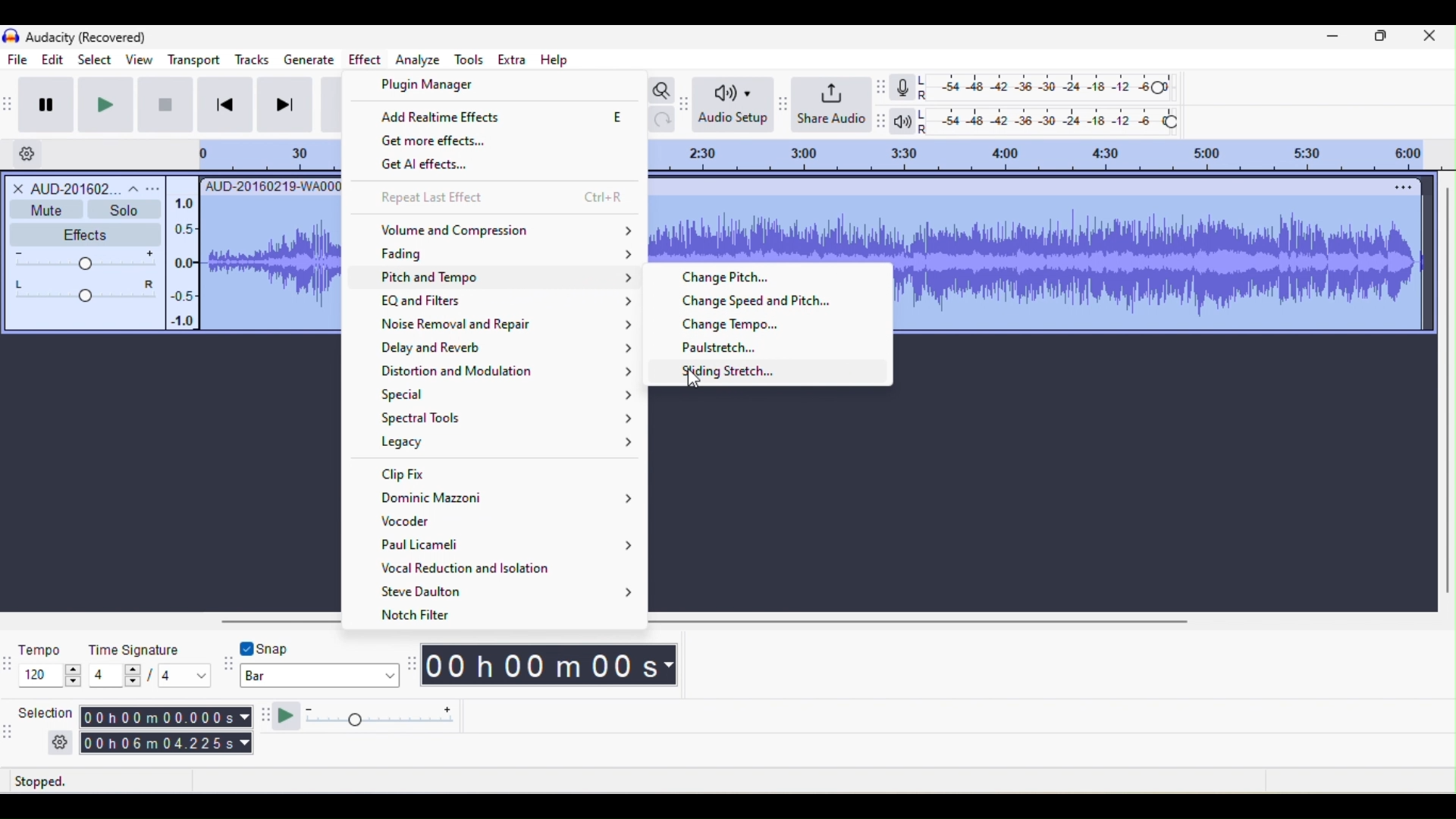 This screenshot has height=819, width=1456. I want to click on Select waveform, so click(269, 261).